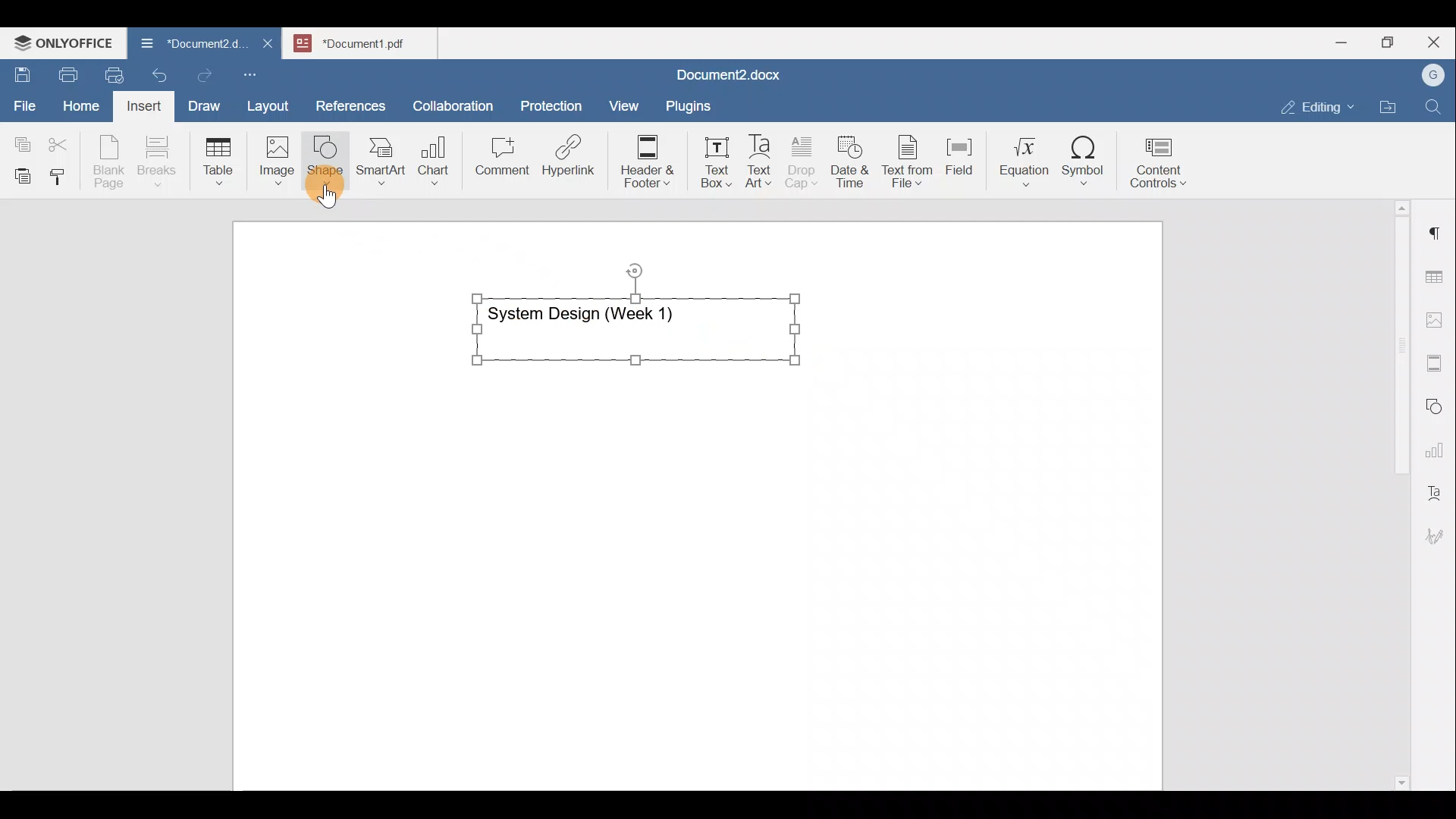 The height and width of the screenshot is (819, 1456). I want to click on Document name, so click(369, 41).